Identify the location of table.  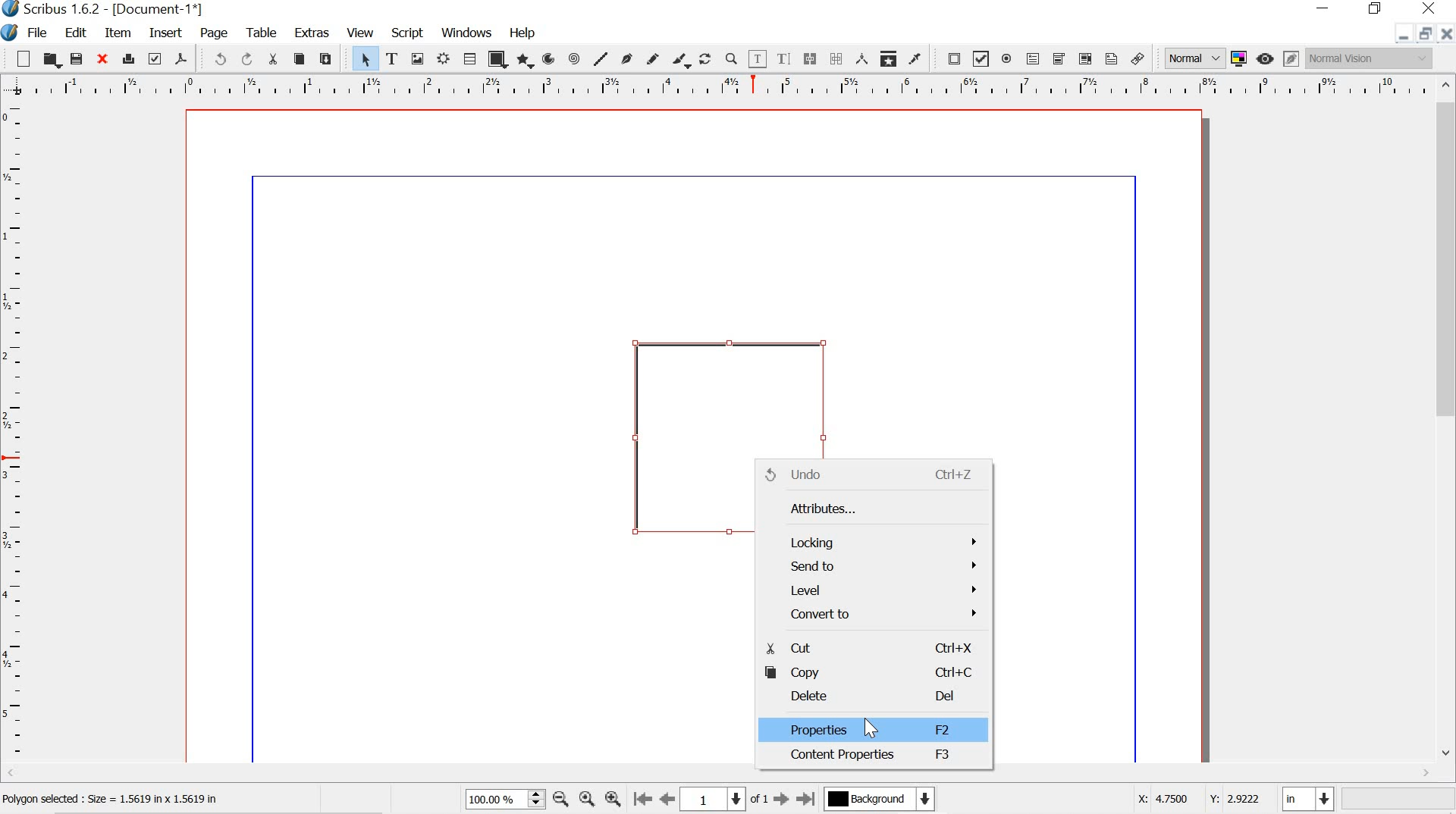
(469, 58).